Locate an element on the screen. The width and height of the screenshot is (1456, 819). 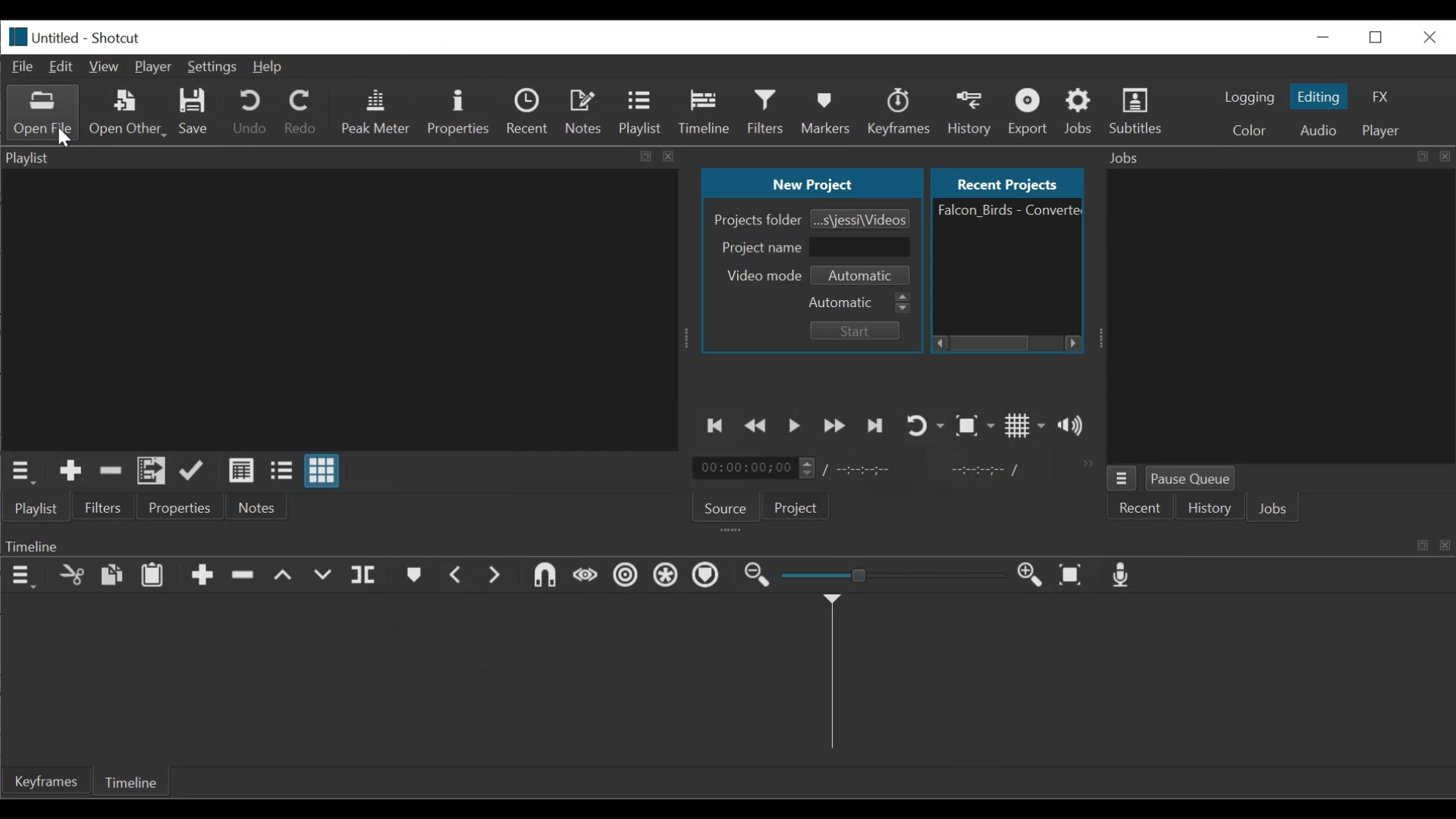
FX is located at coordinates (1377, 98).